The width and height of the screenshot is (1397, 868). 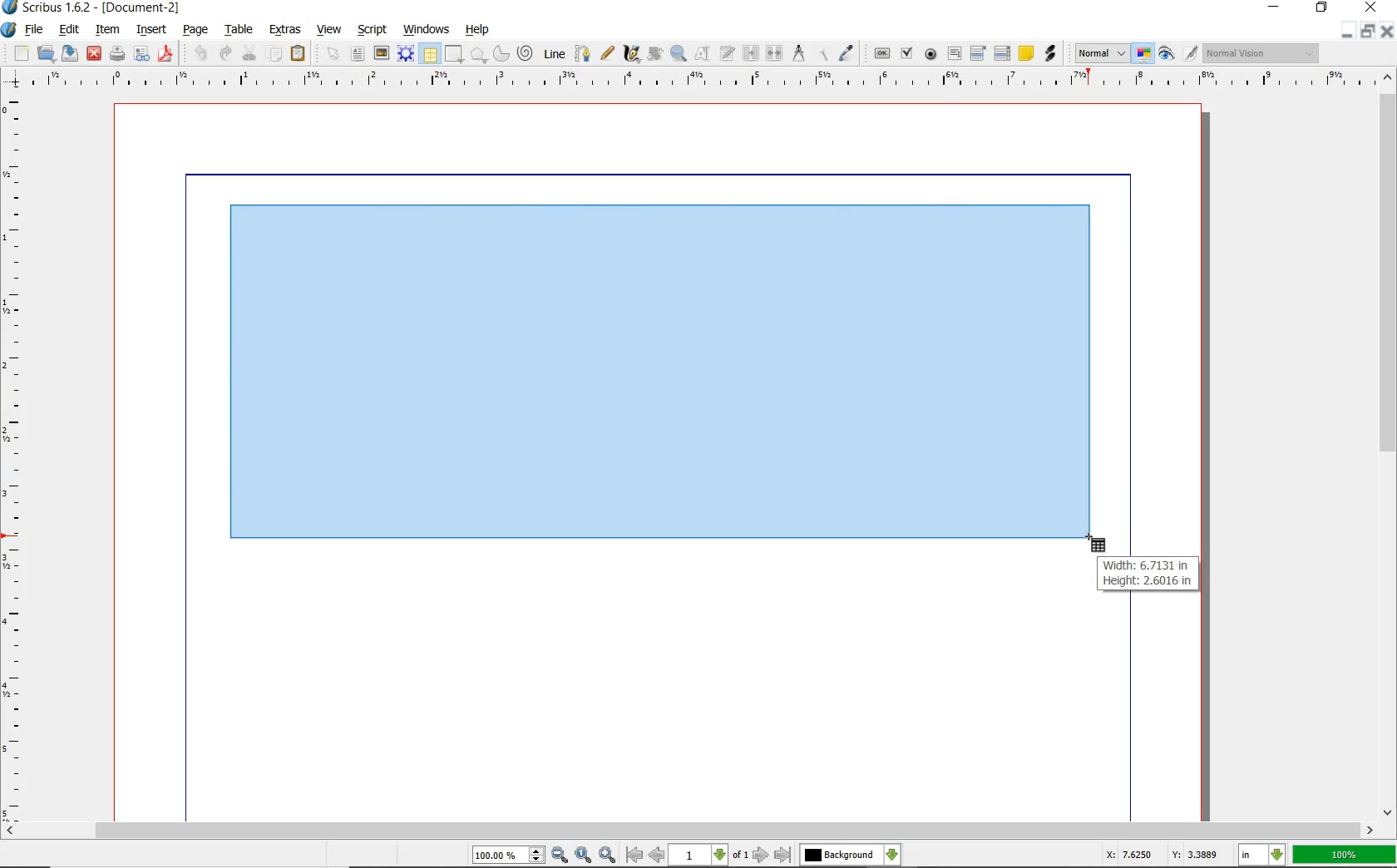 I want to click on polygon, so click(x=478, y=55).